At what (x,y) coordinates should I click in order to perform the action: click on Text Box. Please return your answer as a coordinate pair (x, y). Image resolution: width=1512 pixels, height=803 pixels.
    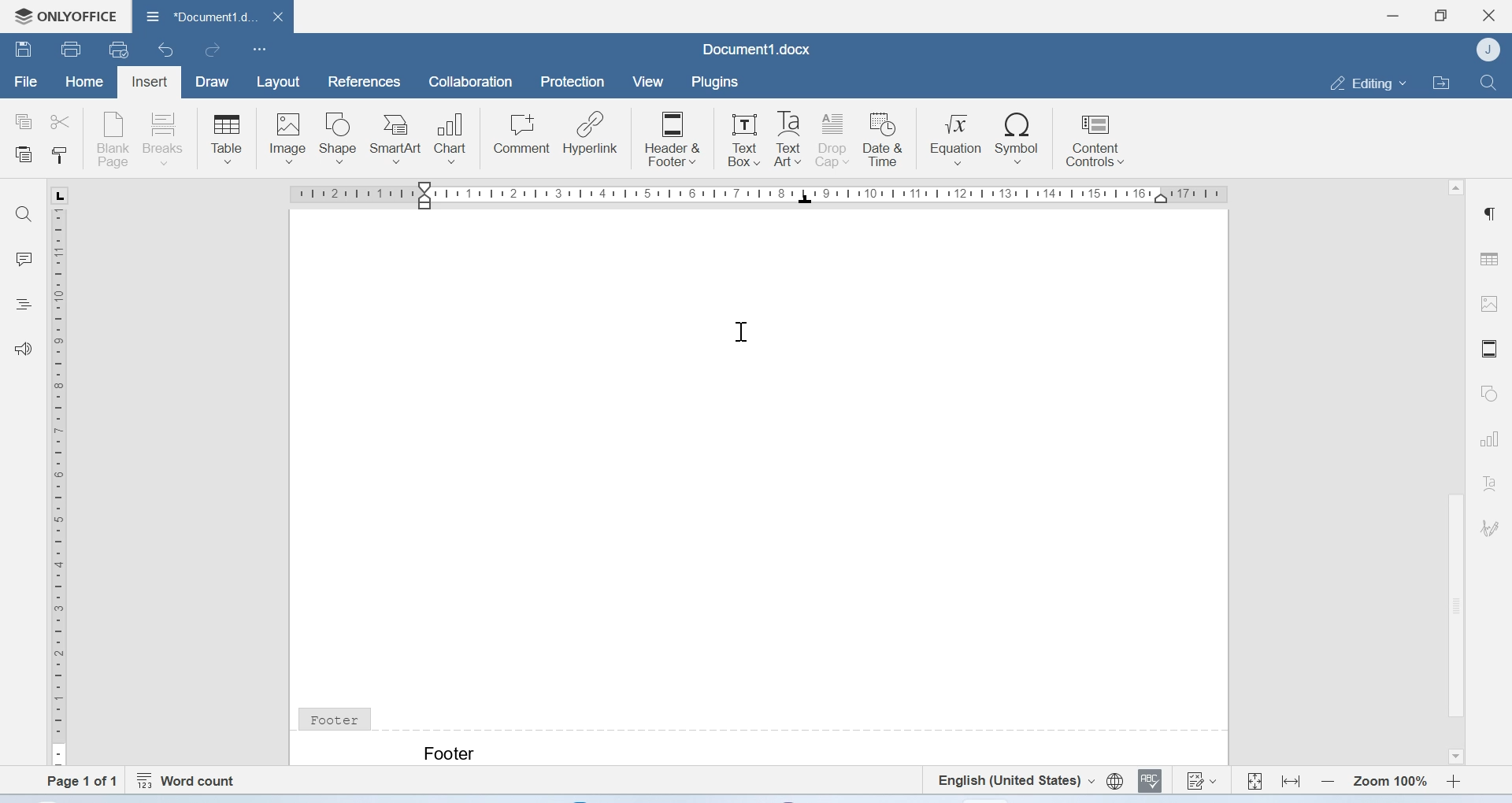
    Looking at the image, I should click on (739, 136).